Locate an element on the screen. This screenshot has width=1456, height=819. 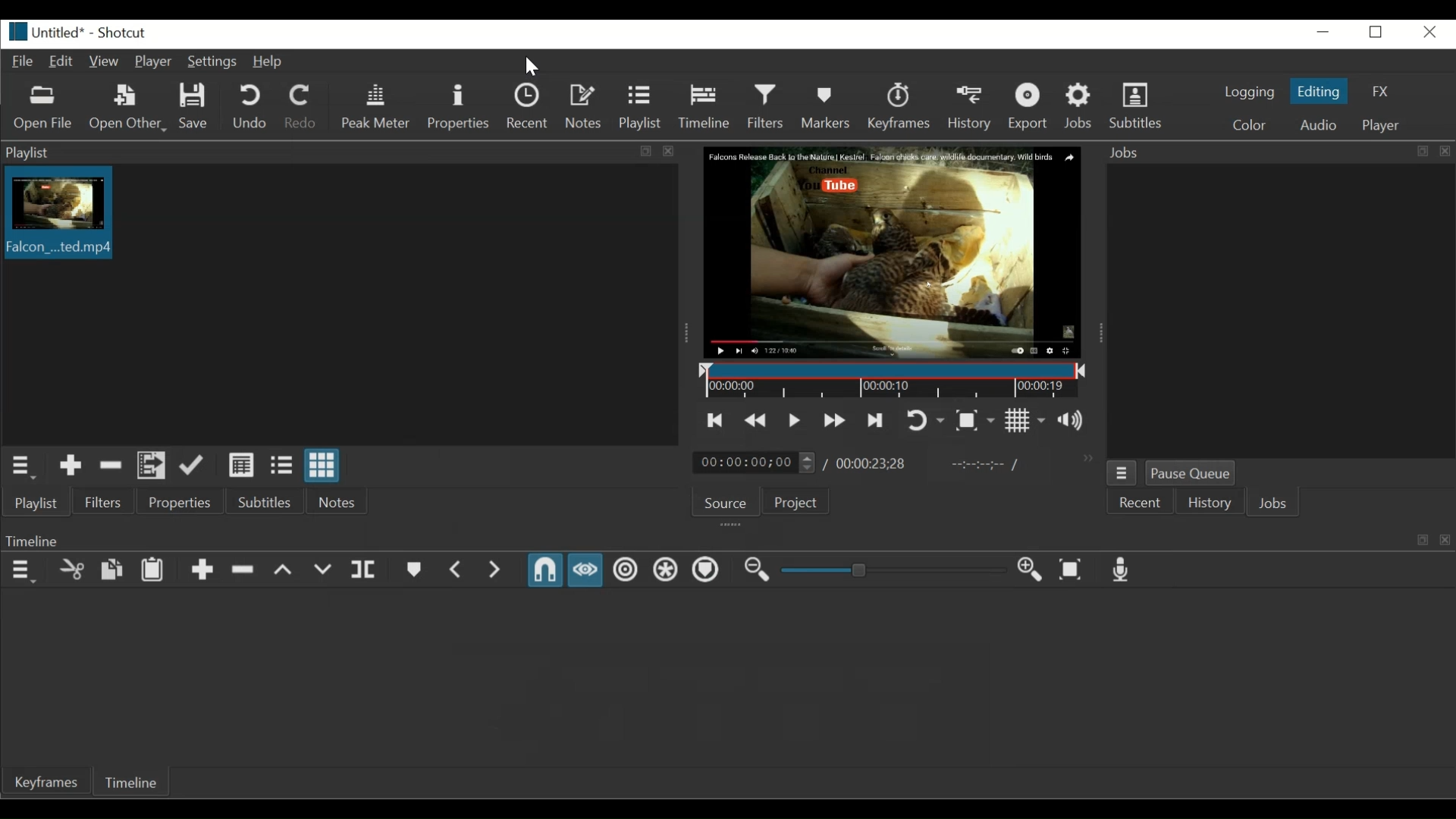
Open File is located at coordinates (47, 108).